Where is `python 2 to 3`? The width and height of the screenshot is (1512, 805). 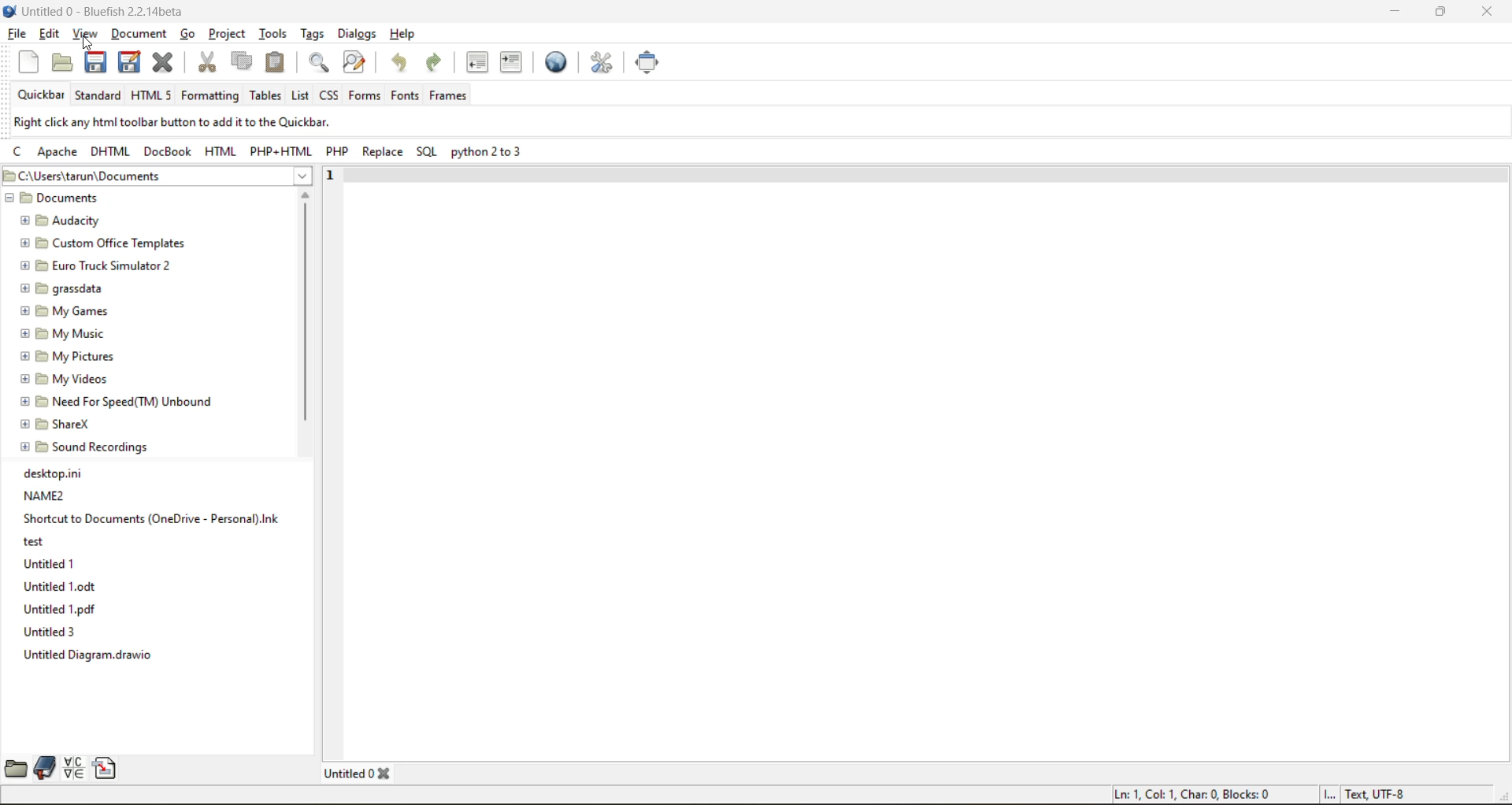 python 2 to 3 is located at coordinates (494, 154).